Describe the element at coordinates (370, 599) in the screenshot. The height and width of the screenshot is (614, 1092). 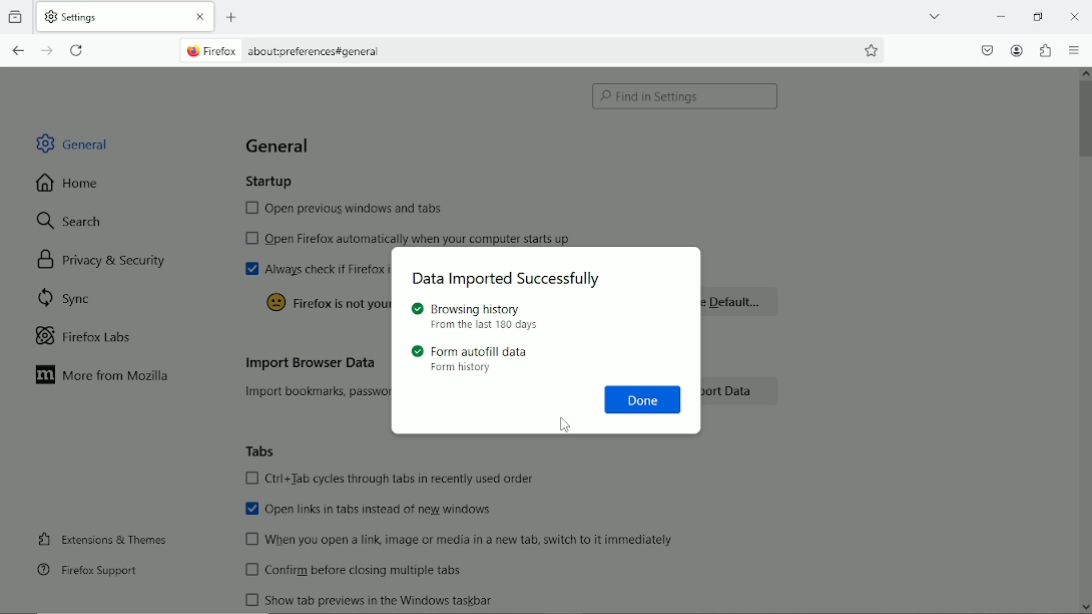
I see `Show tab previews in the windows taskbar` at that location.